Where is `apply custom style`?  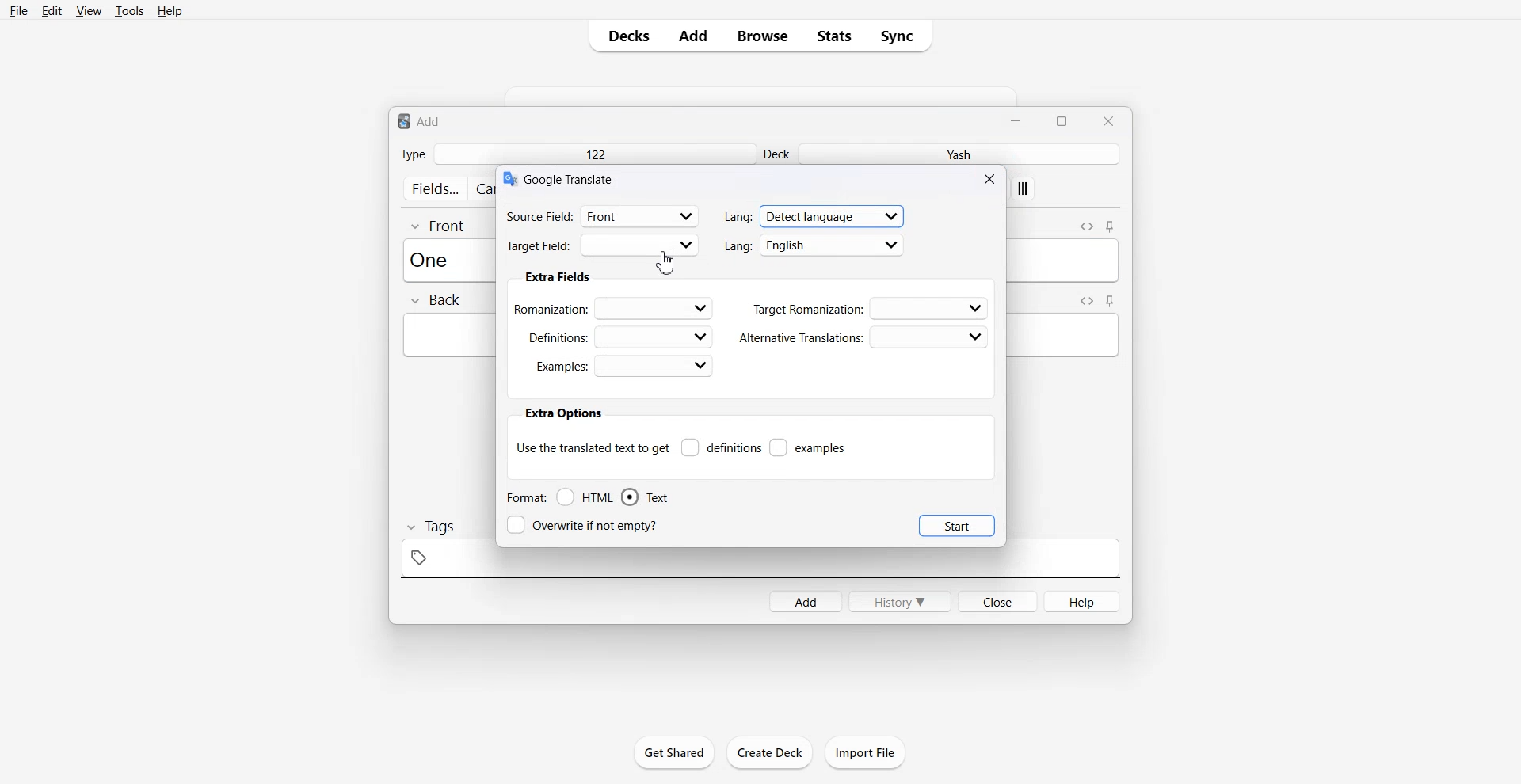
apply custom style is located at coordinates (1024, 190).